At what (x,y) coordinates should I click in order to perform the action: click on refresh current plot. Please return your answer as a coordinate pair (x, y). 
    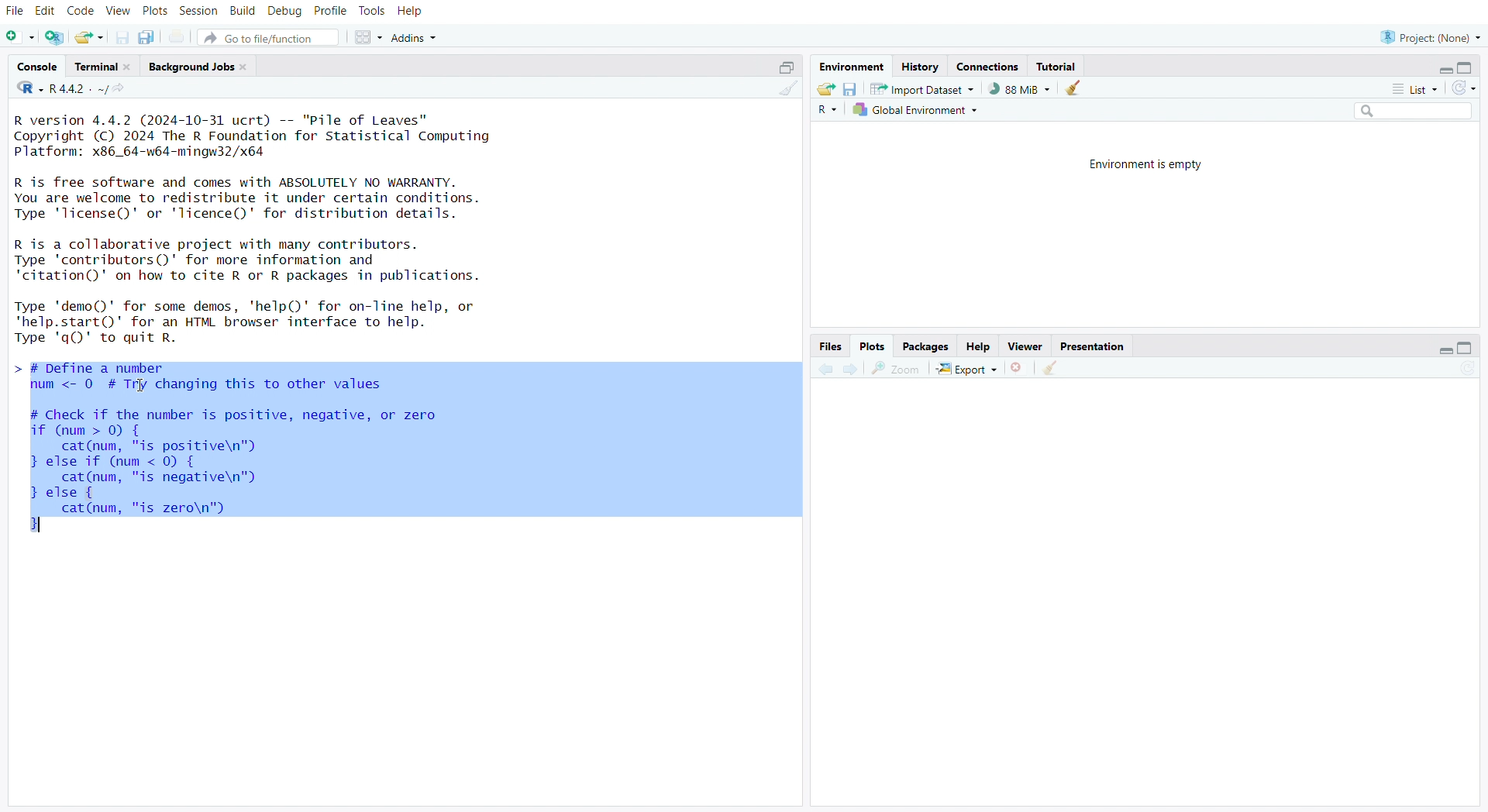
    Looking at the image, I should click on (1466, 370).